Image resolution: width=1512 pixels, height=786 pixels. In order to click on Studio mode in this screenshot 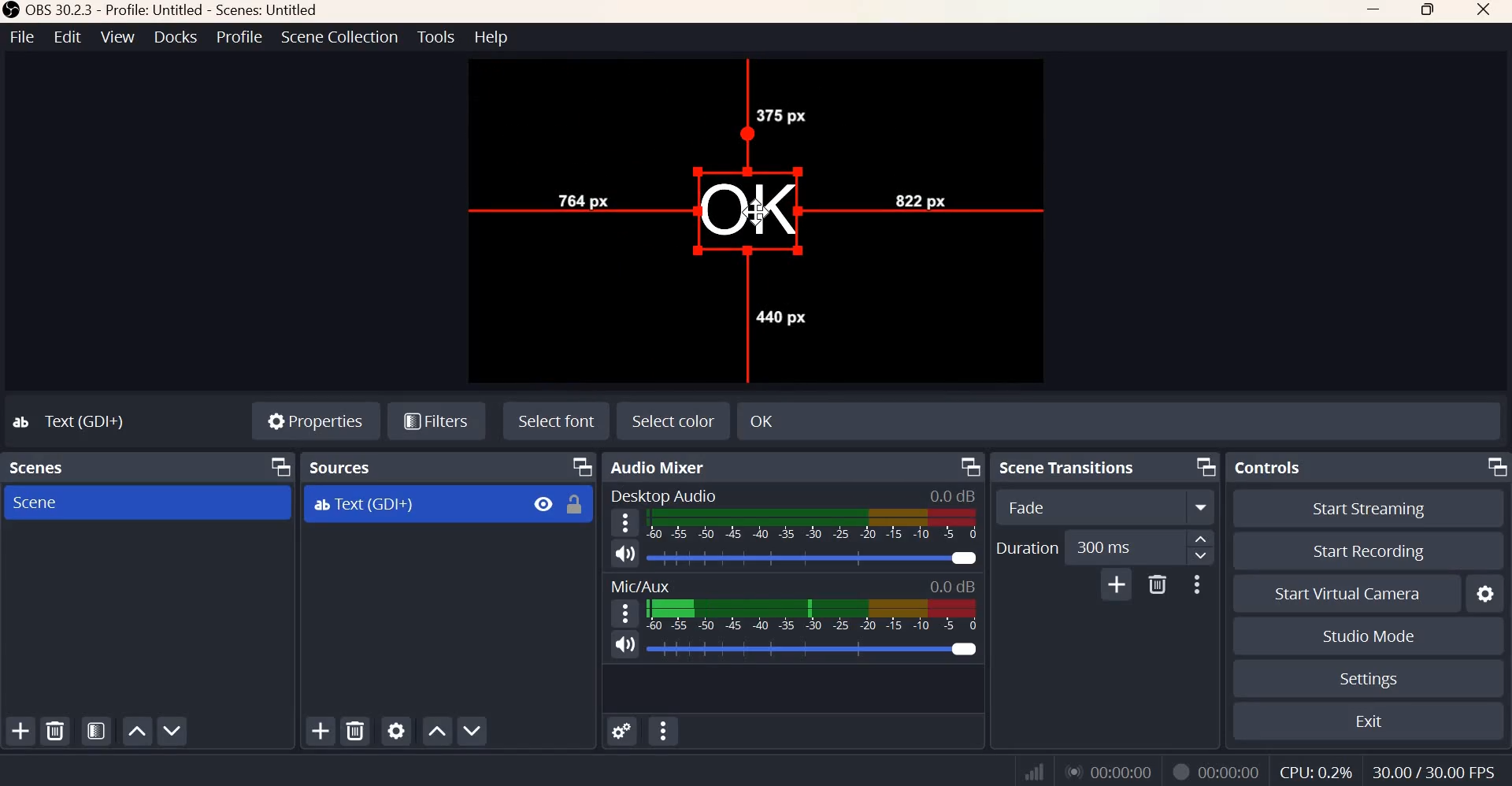, I will do `click(1369, 636)`.